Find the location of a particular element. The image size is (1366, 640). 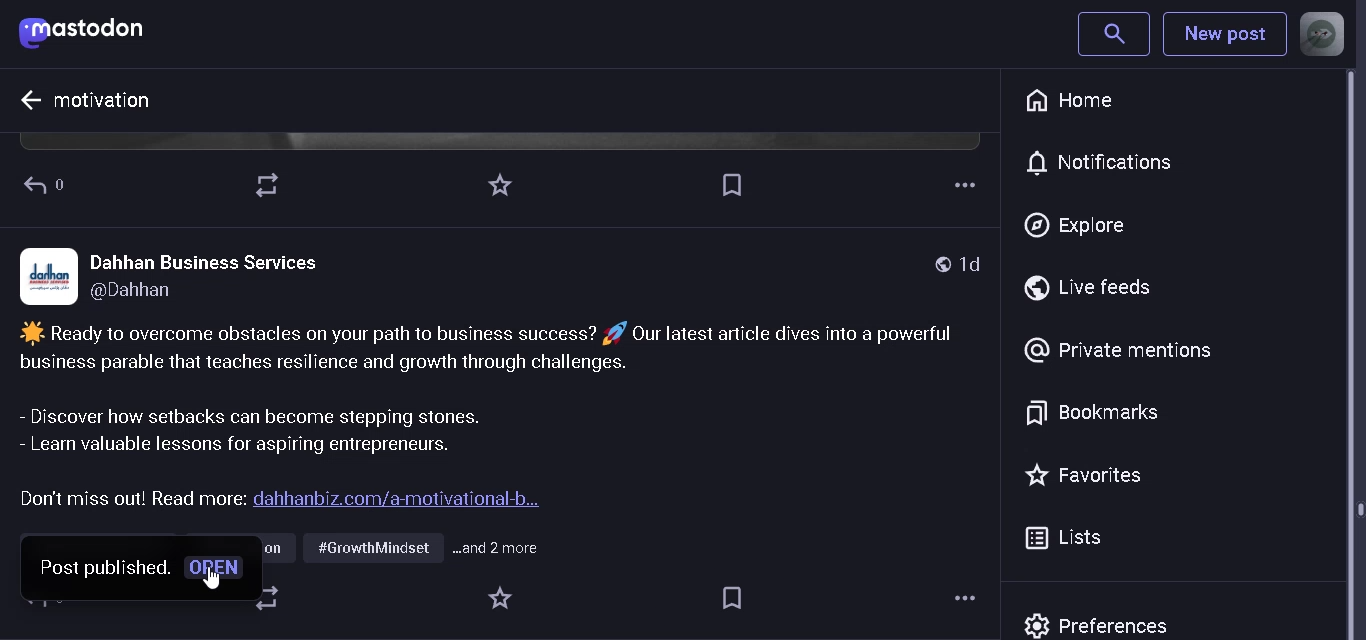

search is located at coordinates (1113, 33).